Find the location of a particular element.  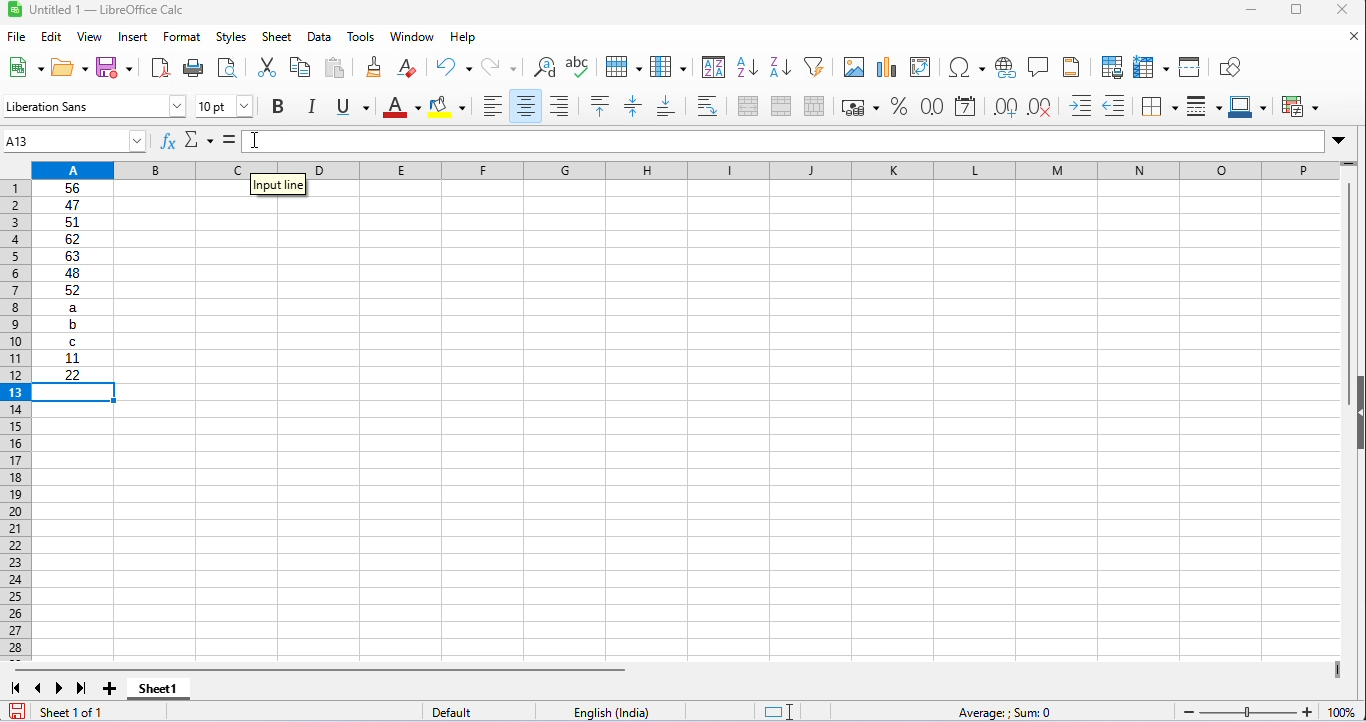

maximize is located at coordinates (1296, 10).